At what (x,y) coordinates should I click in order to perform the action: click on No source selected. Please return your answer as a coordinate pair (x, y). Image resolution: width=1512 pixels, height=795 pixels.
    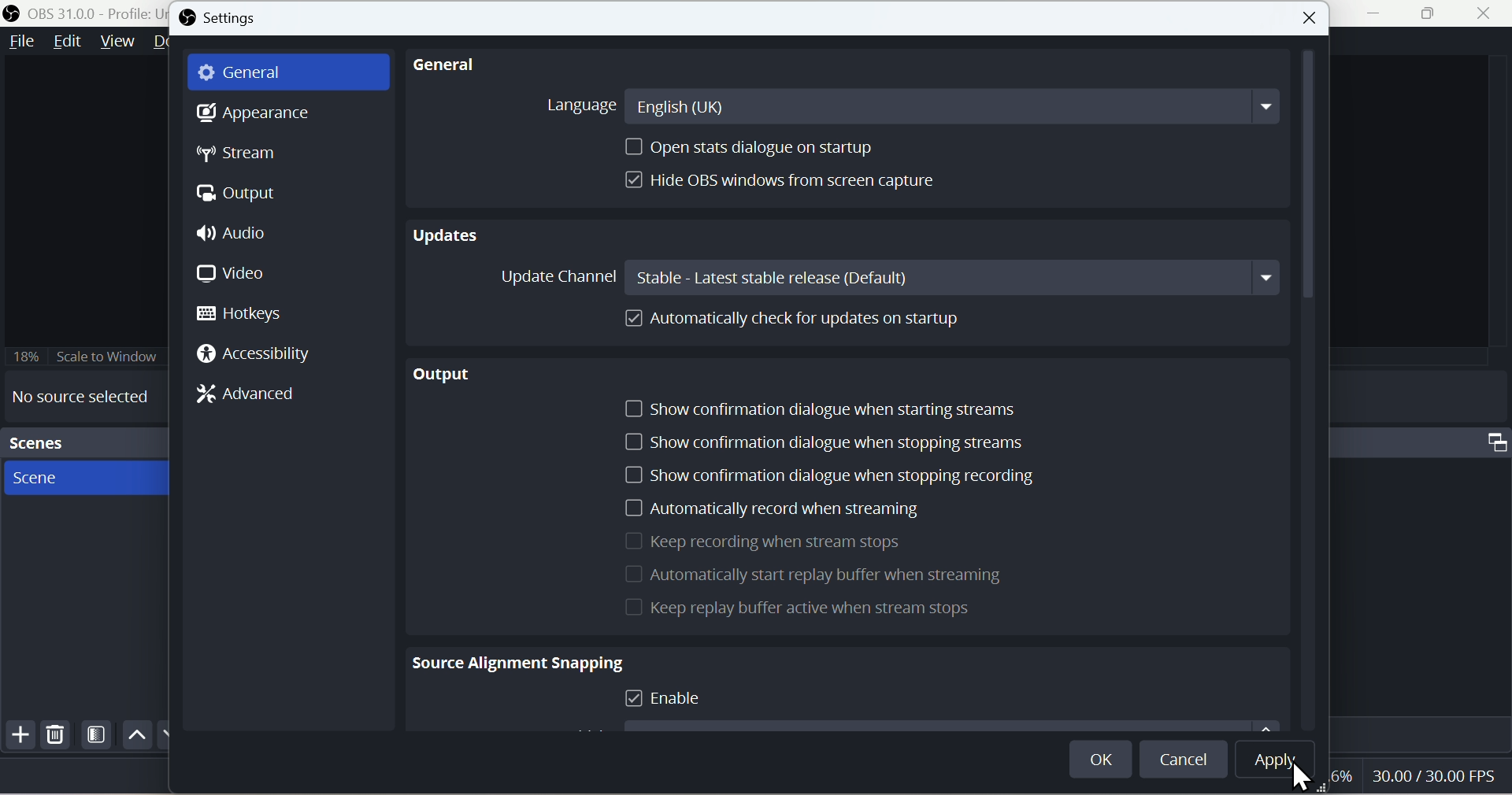
    Looking at the image, I should click on (85, 398).